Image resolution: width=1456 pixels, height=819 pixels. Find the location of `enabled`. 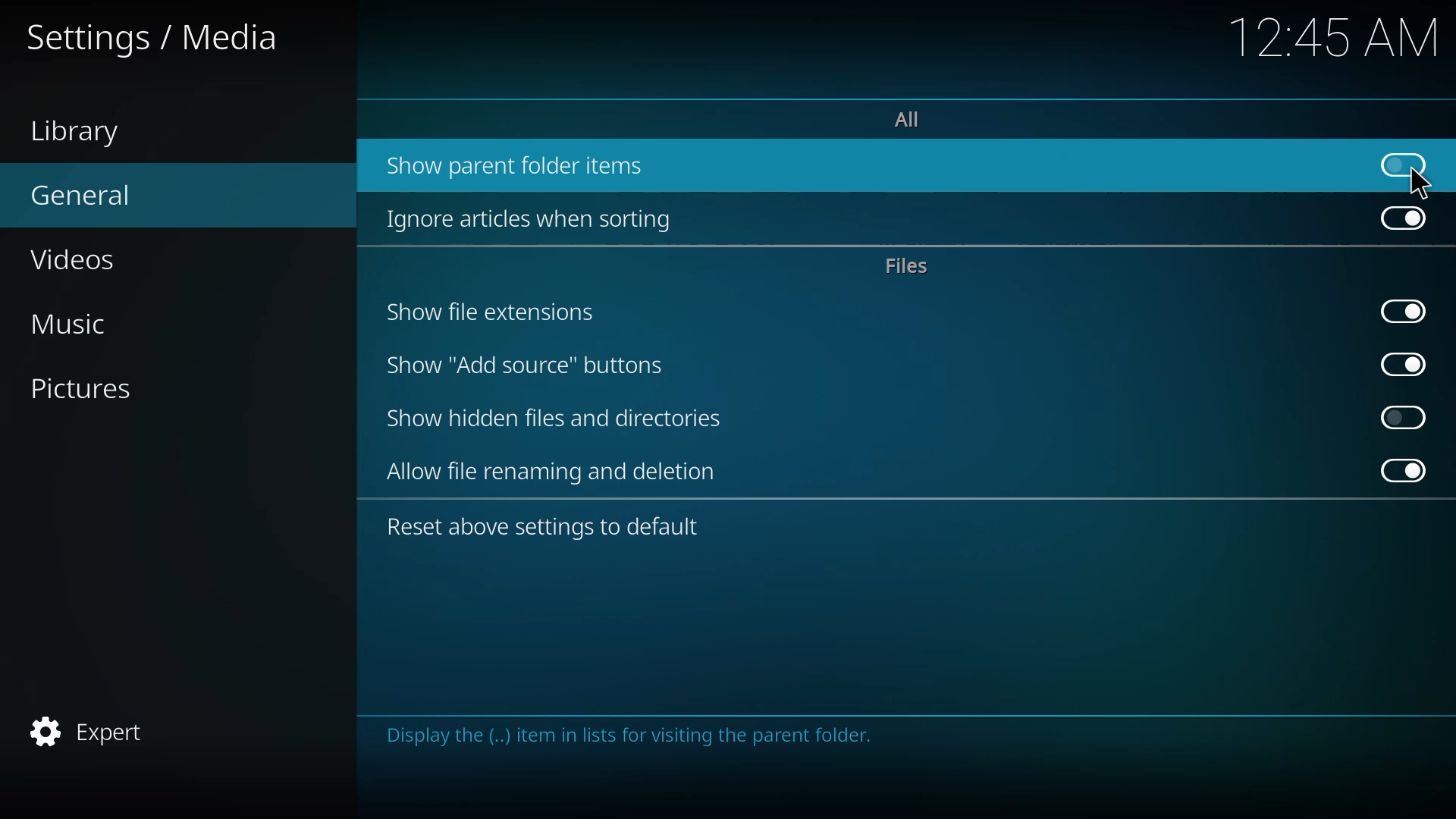

enabled is located at coordinates (1402, 219).